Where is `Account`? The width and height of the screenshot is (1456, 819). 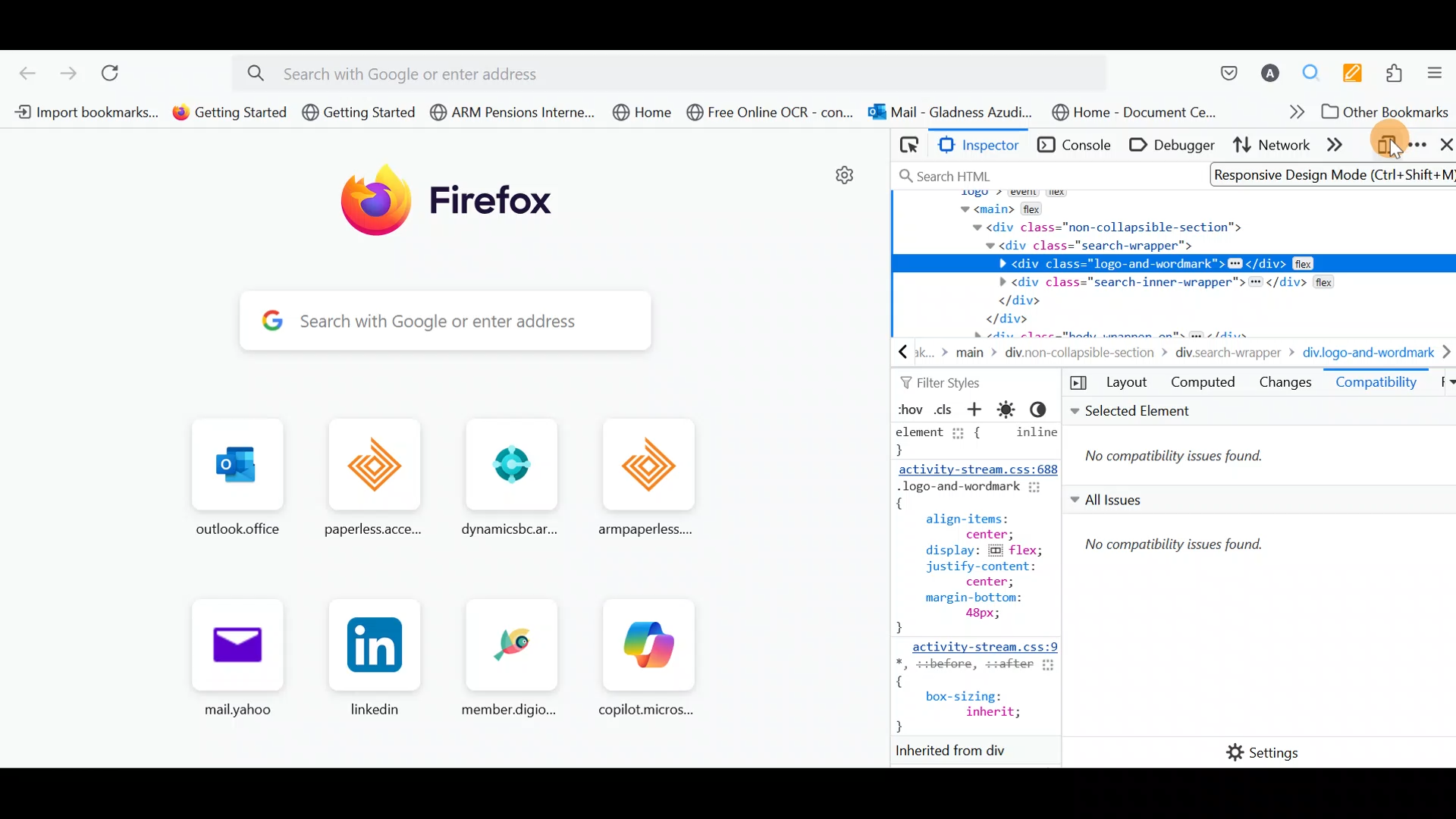
Account is located at coordinates (1272, 67).